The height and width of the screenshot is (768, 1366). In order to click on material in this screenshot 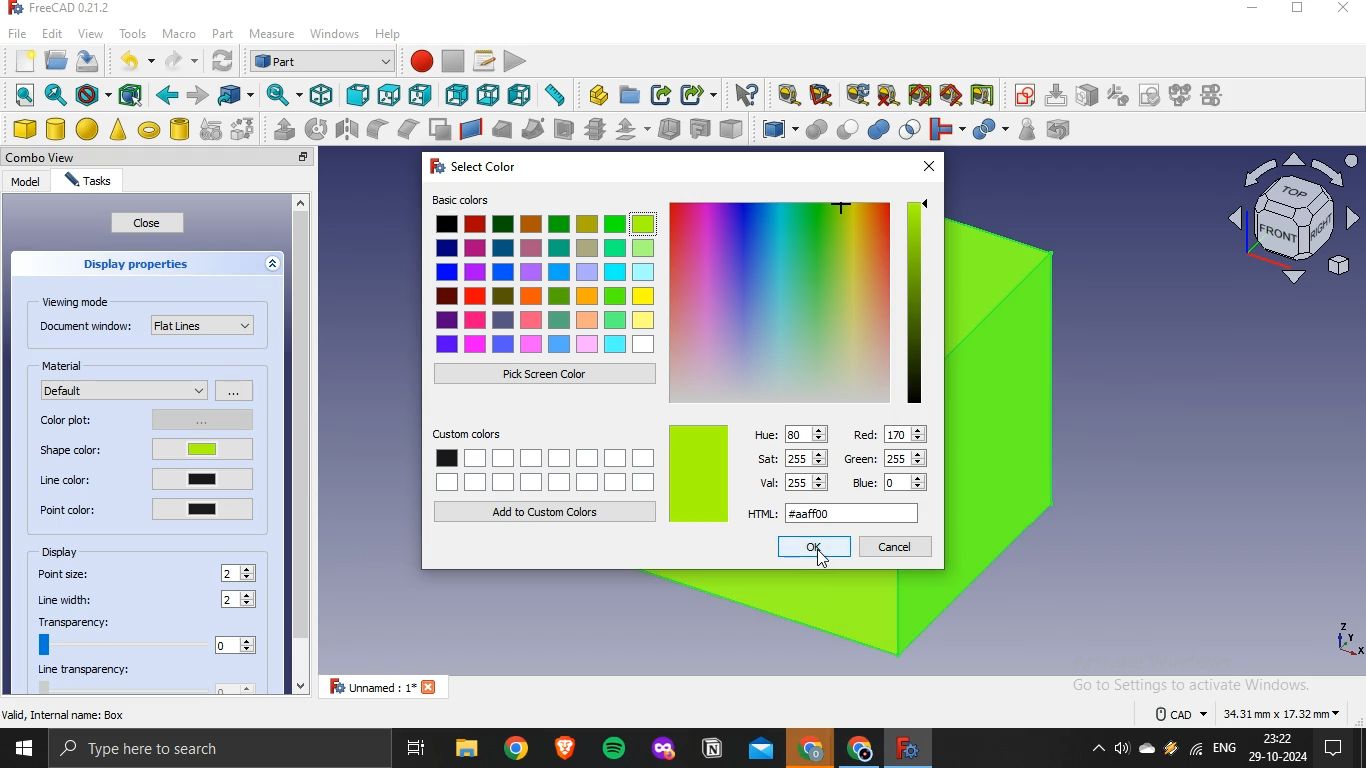, I will do `click(66, 365)`.